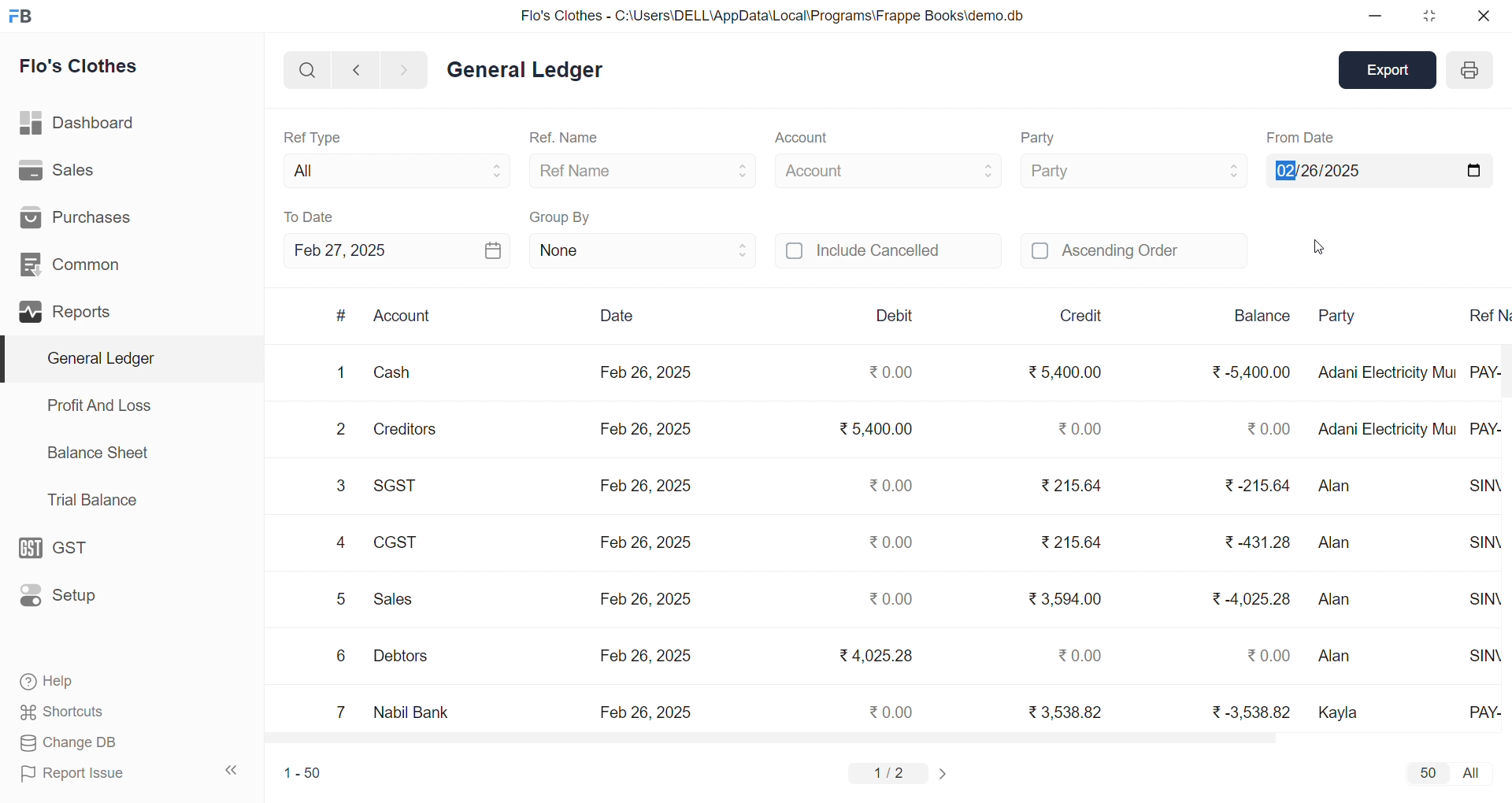  I want to click on Feb 26, 2025, so click(643, 655).